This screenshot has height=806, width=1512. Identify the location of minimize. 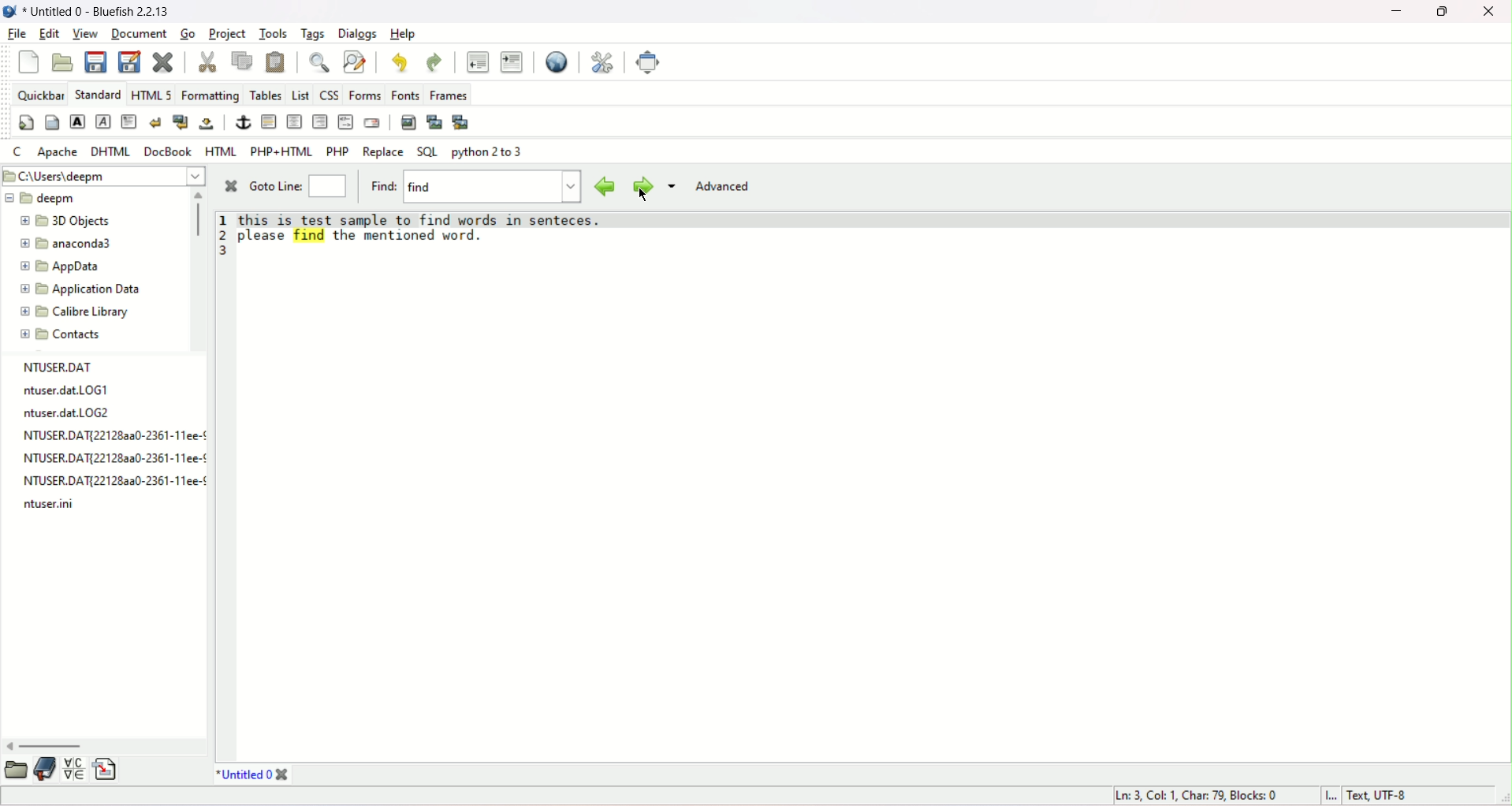
(1395, 12).